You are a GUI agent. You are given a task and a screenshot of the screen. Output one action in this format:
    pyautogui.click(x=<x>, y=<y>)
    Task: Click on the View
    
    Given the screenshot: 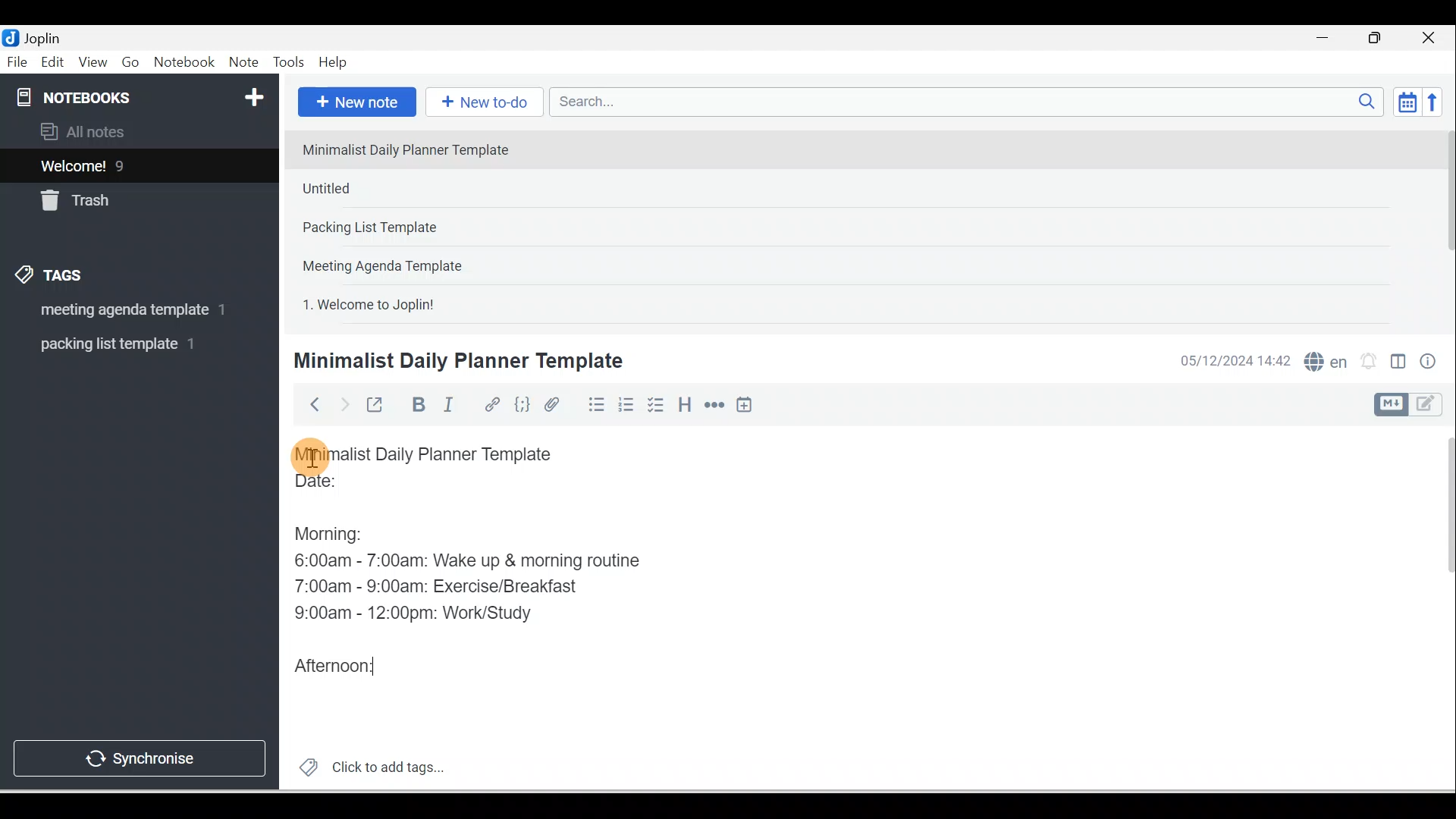 What is the action you would take?
    pyautogui.click(x=93, y=63)
    